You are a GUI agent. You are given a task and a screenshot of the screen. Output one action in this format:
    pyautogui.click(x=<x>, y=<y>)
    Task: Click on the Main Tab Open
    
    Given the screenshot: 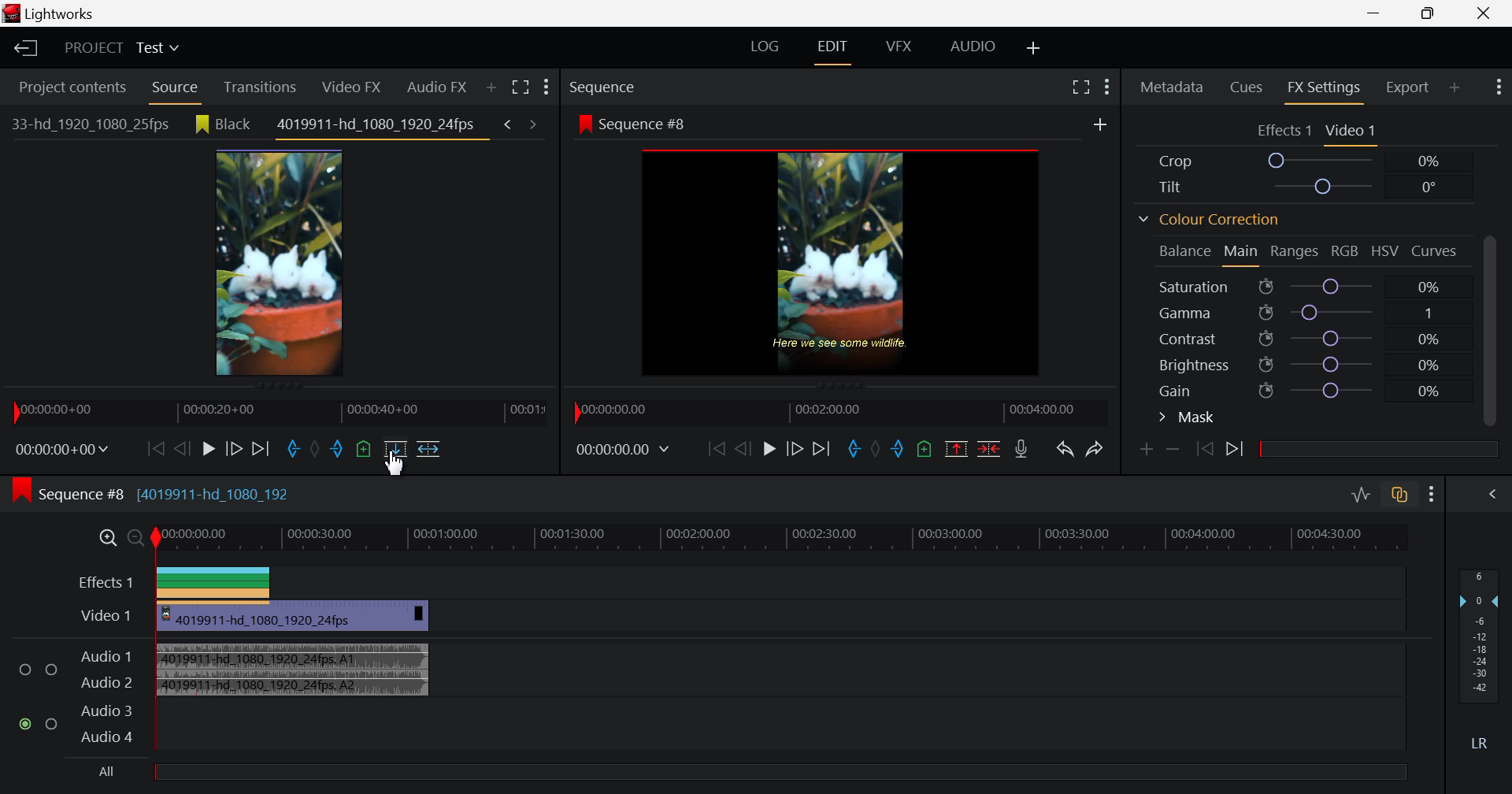 What is the action you would take?
    pyautogui.click(x=1242, y=253)
    